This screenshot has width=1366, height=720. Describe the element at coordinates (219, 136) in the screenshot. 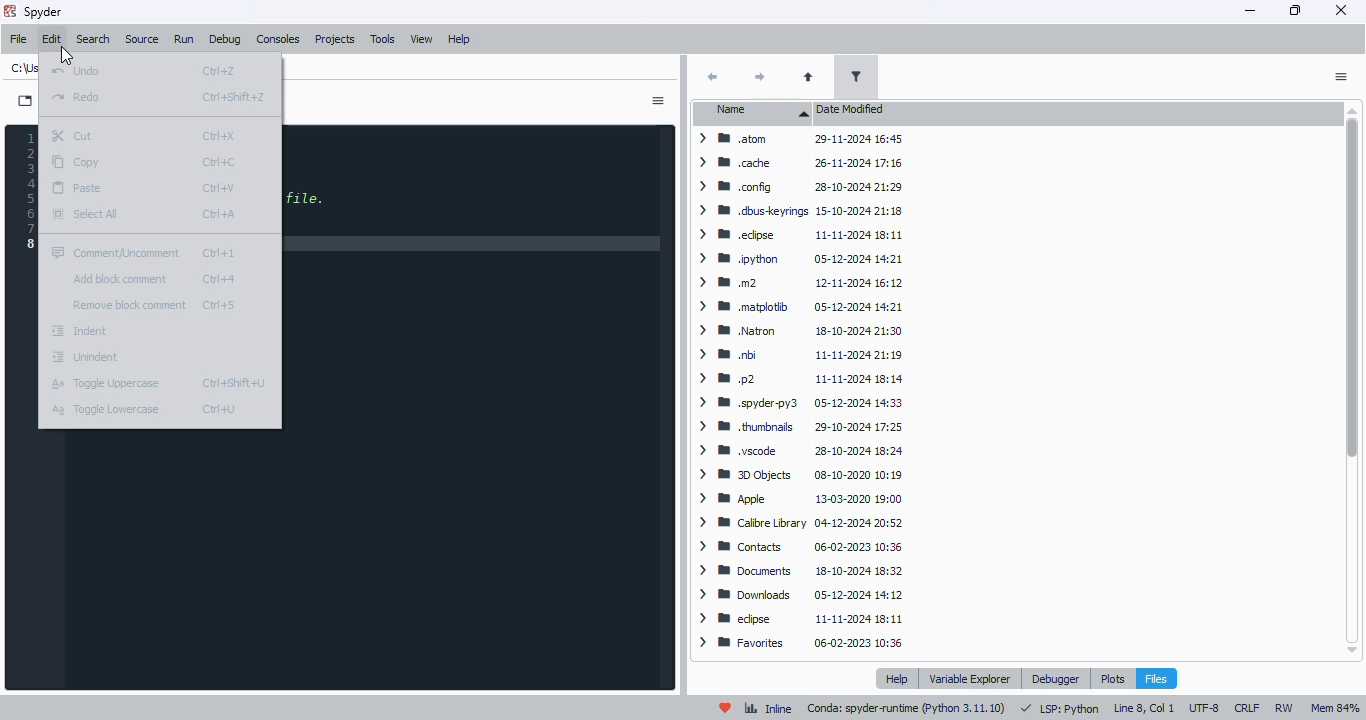

I see `shortcut for cut` at that location.